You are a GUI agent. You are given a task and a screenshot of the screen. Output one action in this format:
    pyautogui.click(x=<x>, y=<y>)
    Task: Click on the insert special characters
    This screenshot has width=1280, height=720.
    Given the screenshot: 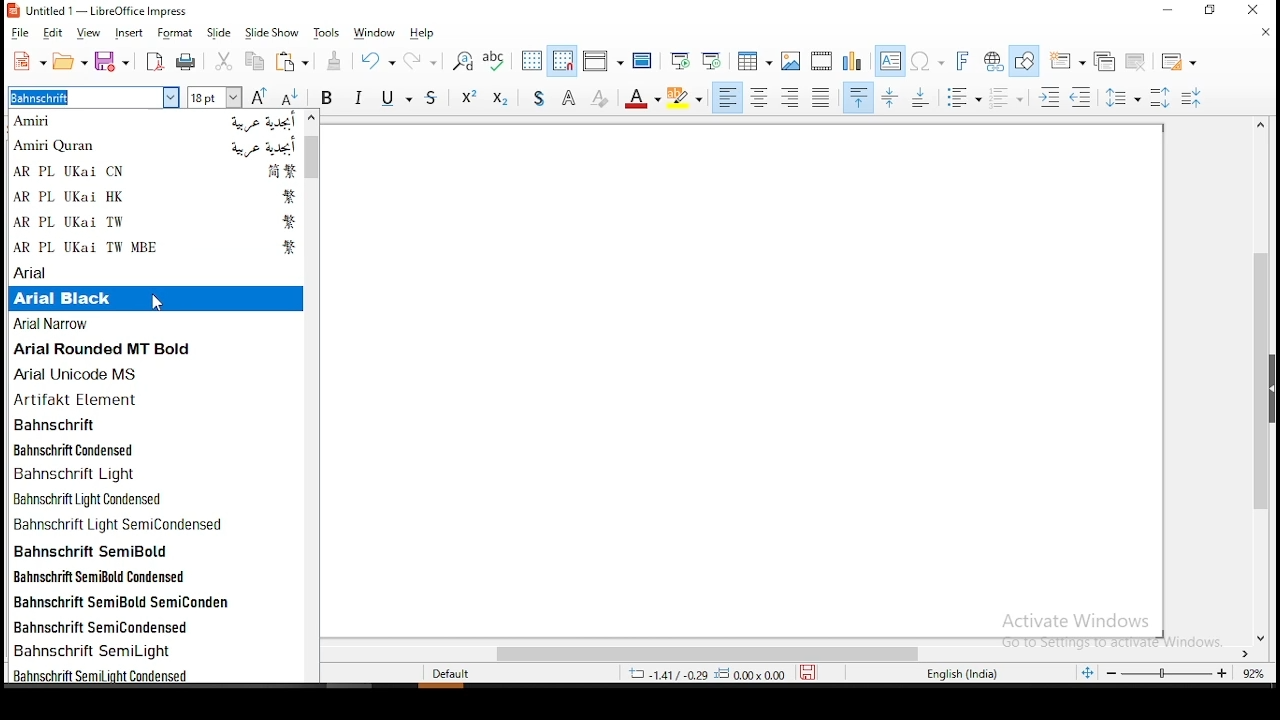 What is the action you would take?
    pyautogui.click(x=930, y=60)
    